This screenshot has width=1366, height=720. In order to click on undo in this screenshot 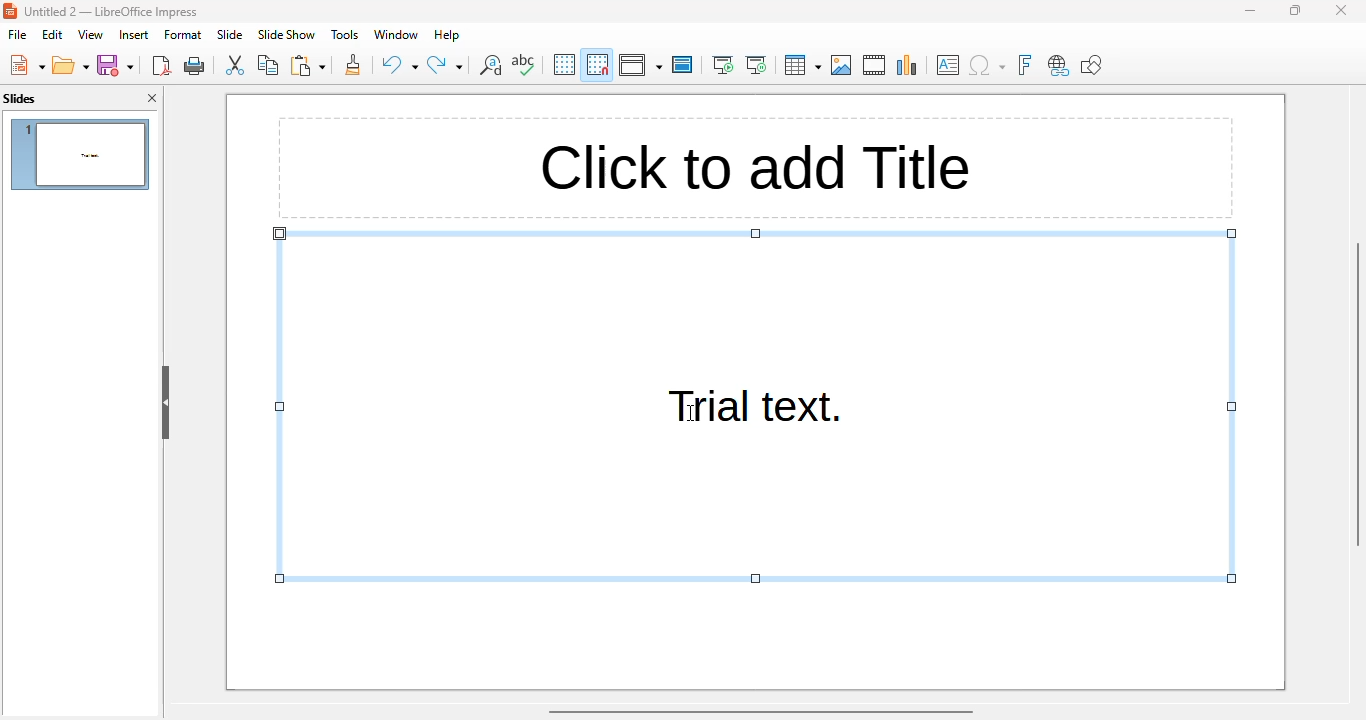, I will do `click(400, 65)`.